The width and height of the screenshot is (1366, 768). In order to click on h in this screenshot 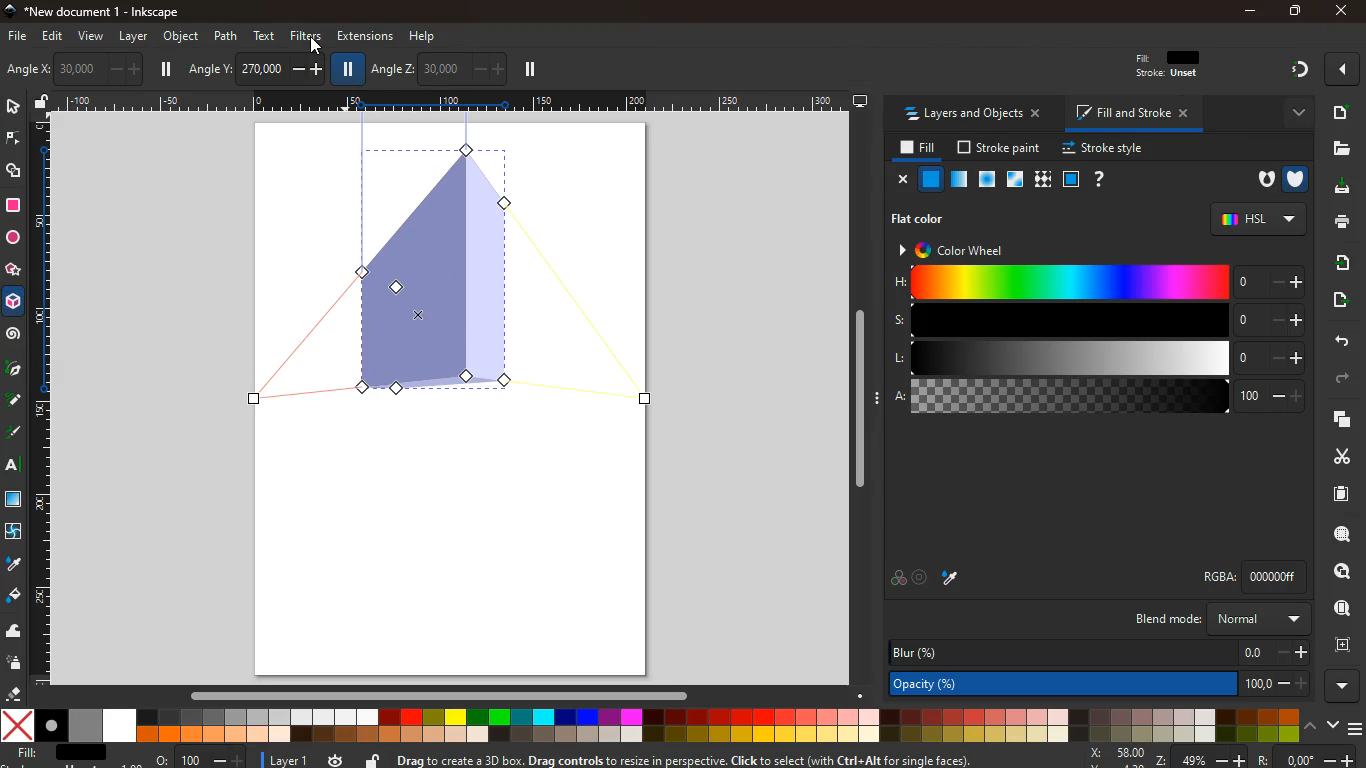, I will do `click(1099, 283)`.